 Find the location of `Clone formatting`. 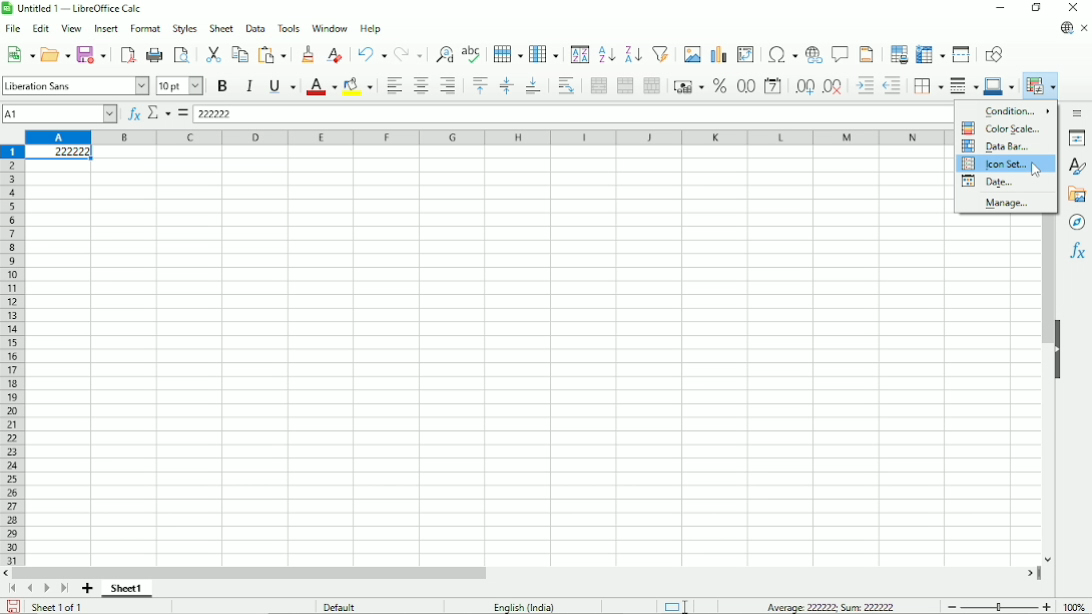

Clone formatting is located at coordinates (308, 53).